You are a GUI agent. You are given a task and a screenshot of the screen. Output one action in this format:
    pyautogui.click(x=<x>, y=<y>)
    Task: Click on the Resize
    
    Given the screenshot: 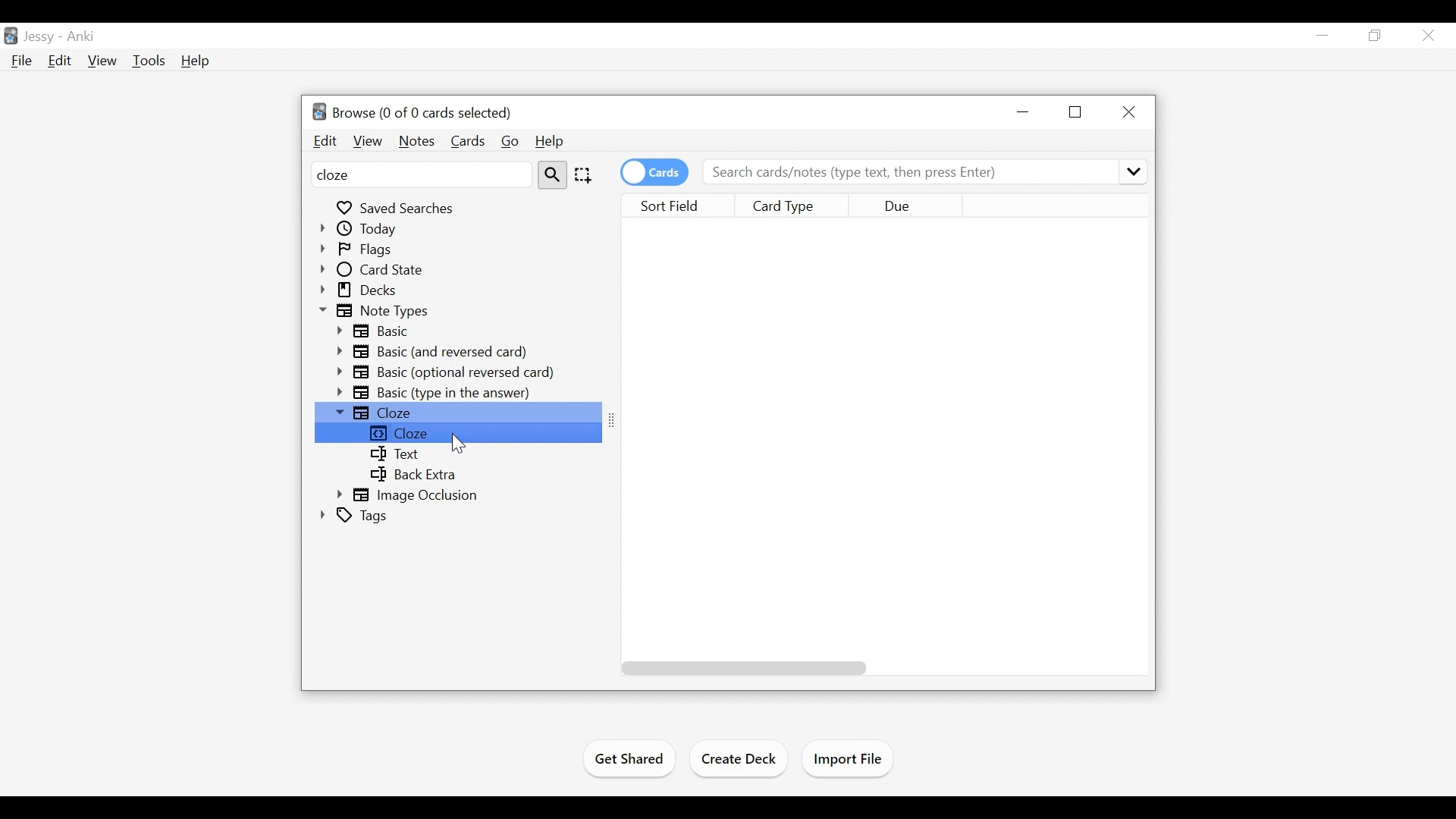 What is the action you would take?
    pyautogui.click(x=615, y=421)
    